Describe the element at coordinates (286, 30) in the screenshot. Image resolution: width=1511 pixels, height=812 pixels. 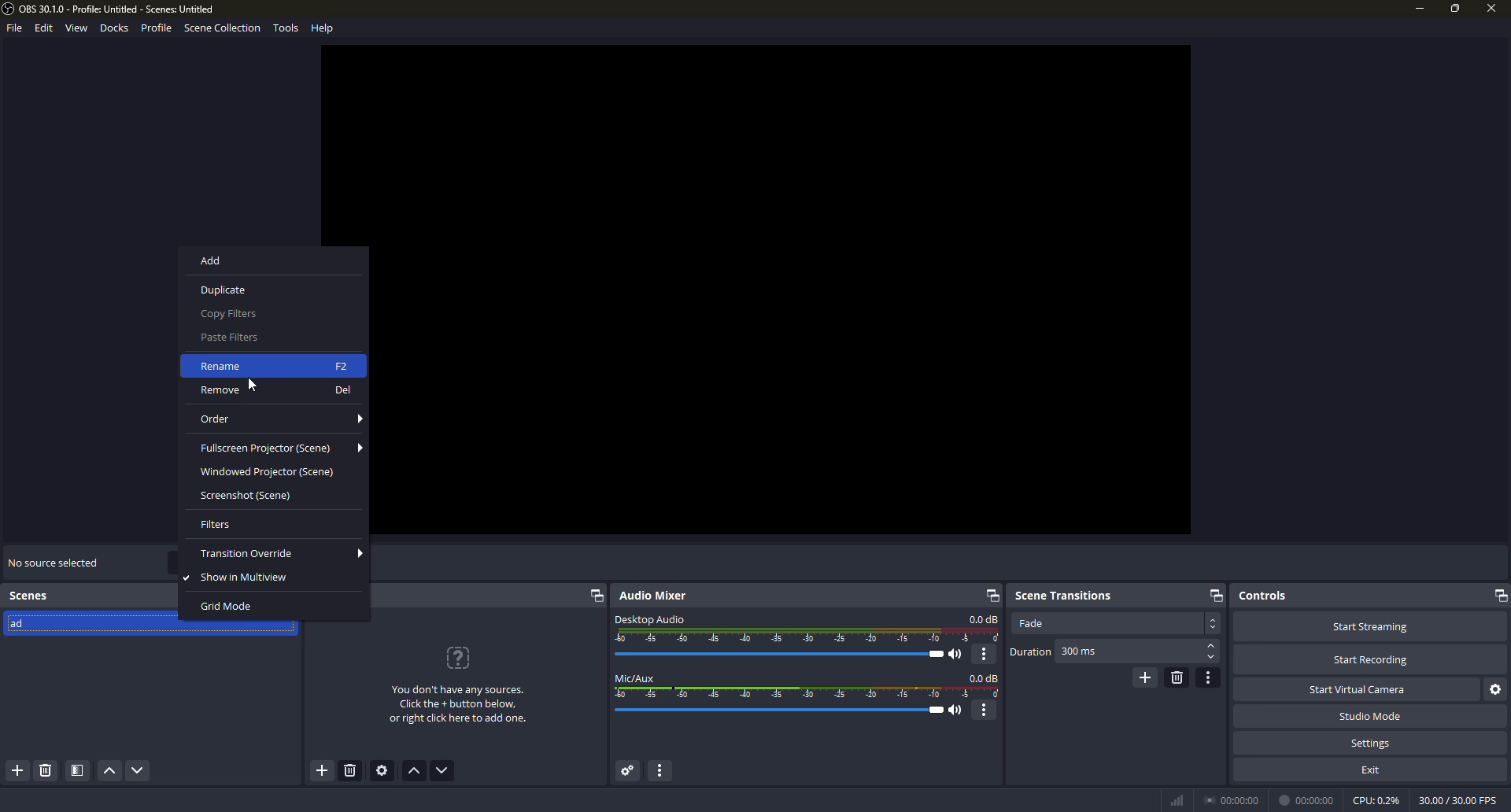
I see `tools` at that location.